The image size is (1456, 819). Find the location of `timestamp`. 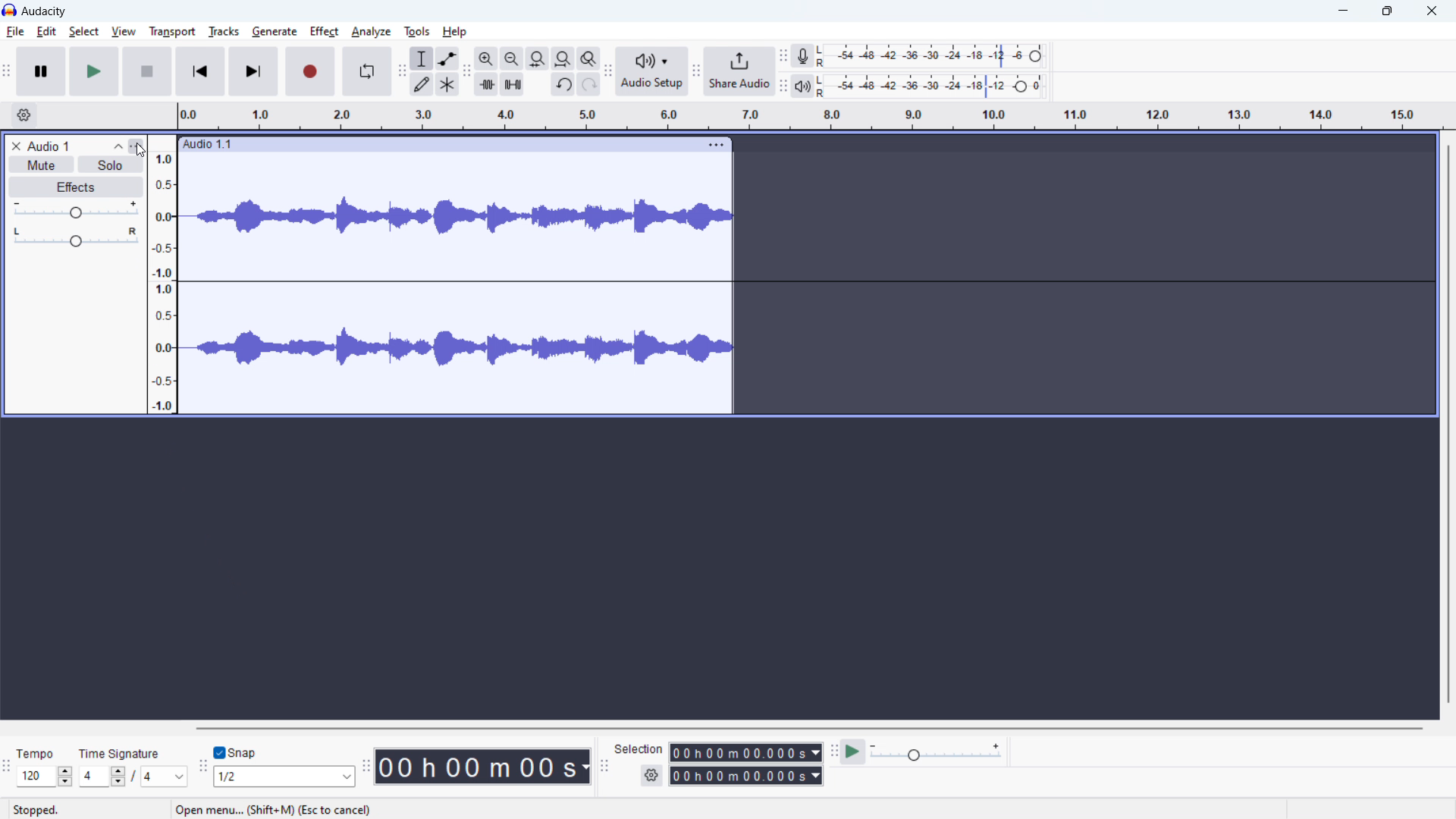

timestamp is located at coordinates (483, 767).